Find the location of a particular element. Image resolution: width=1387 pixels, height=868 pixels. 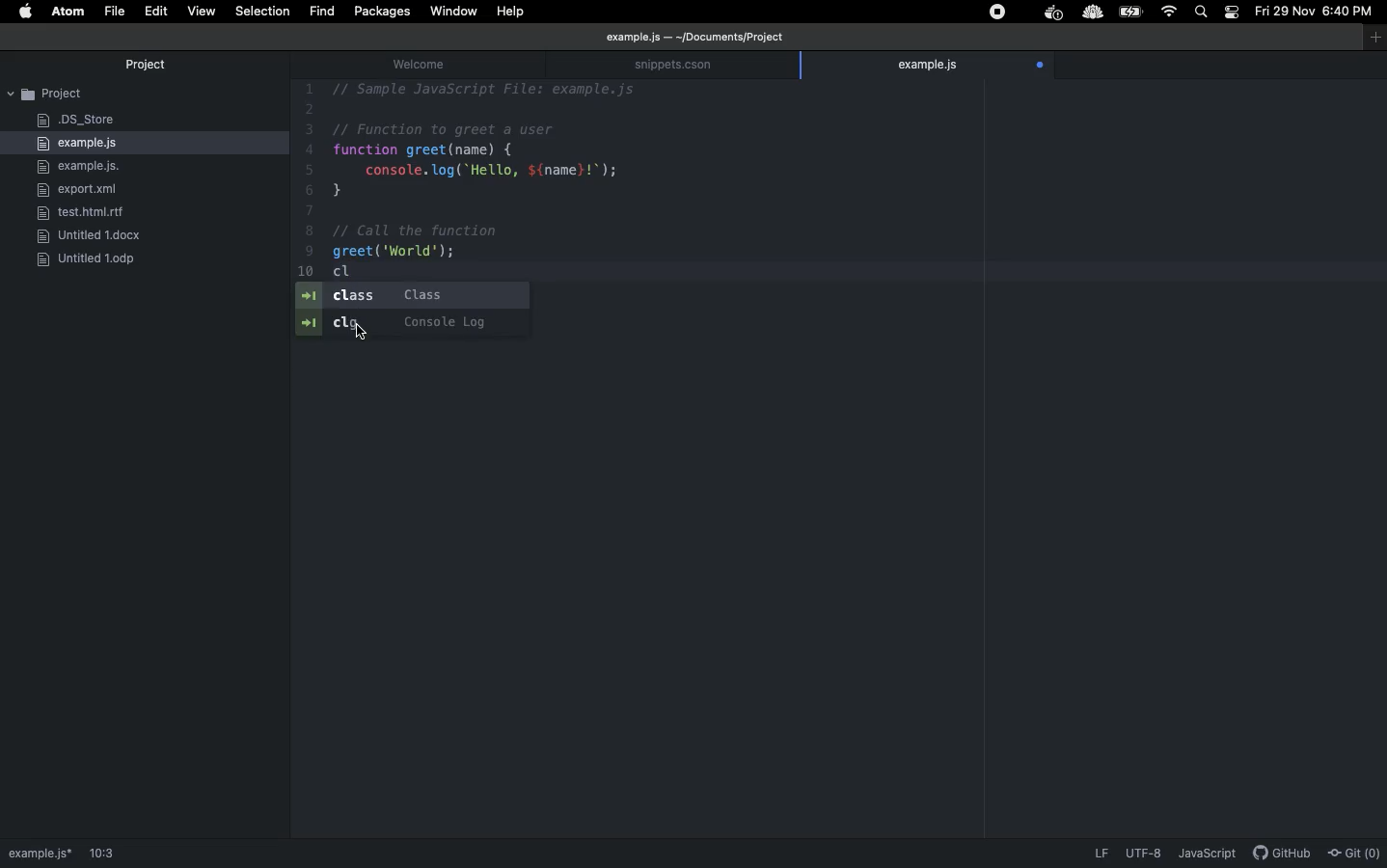

Console log is located at coordinates (397, 322).